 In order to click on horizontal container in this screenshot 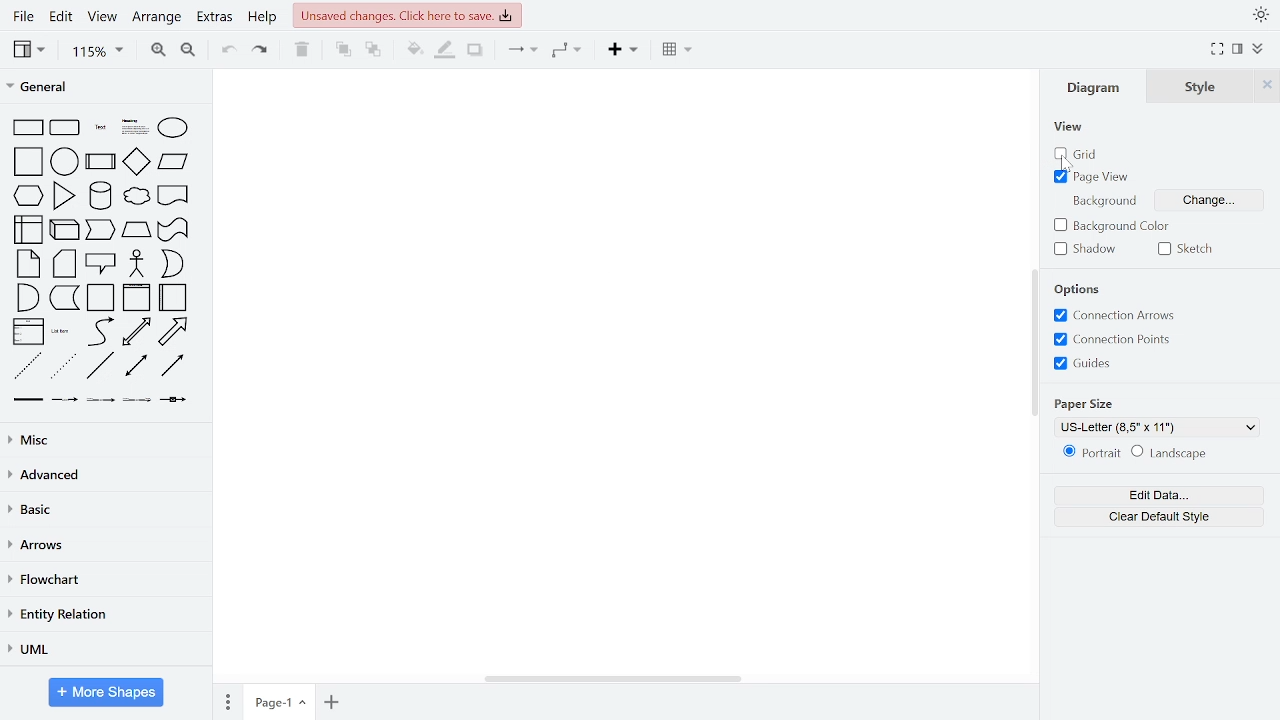, I will do `click(173, 298)`.